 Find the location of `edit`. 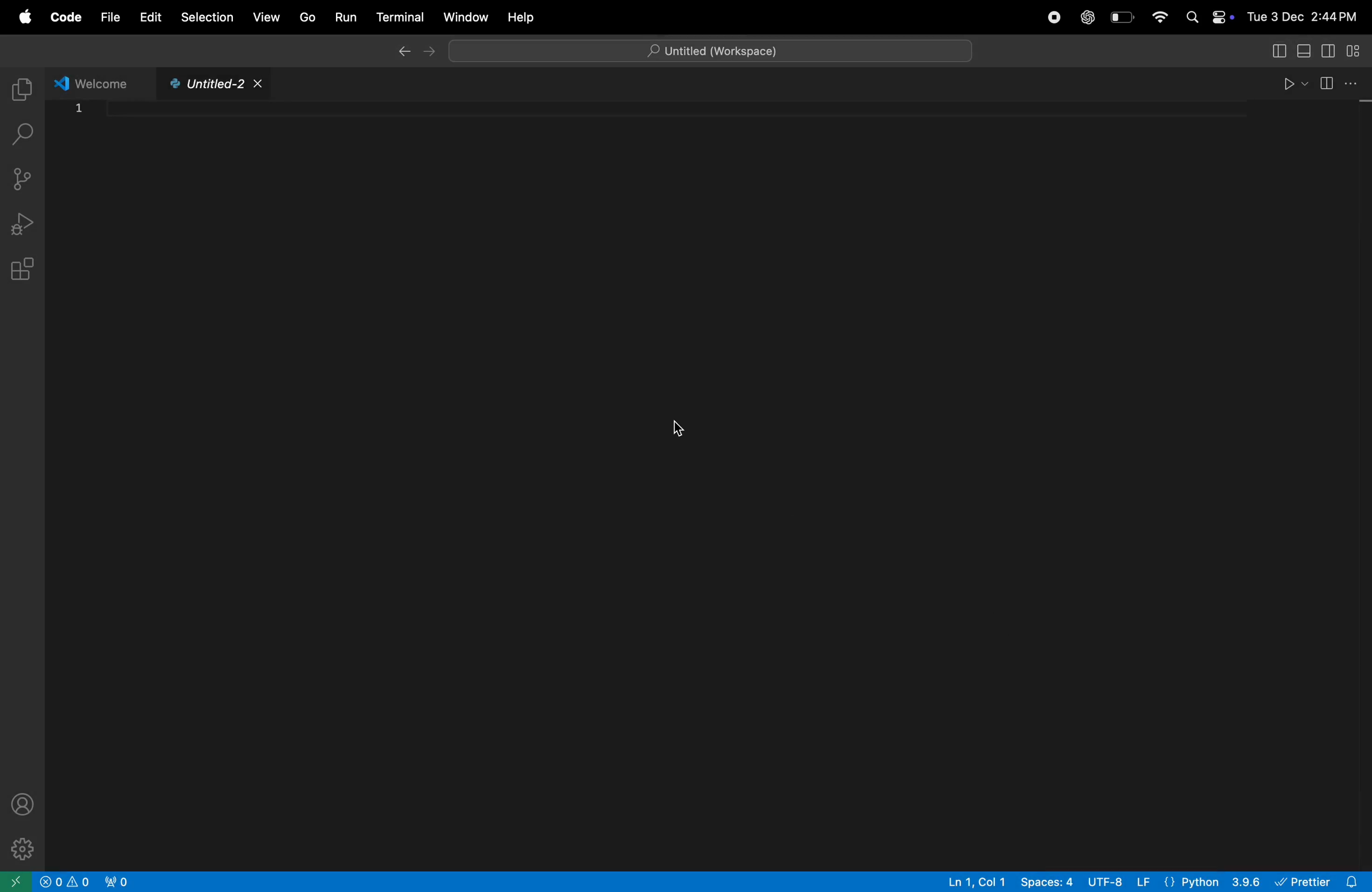

edit is located at coordinates (149, 16).